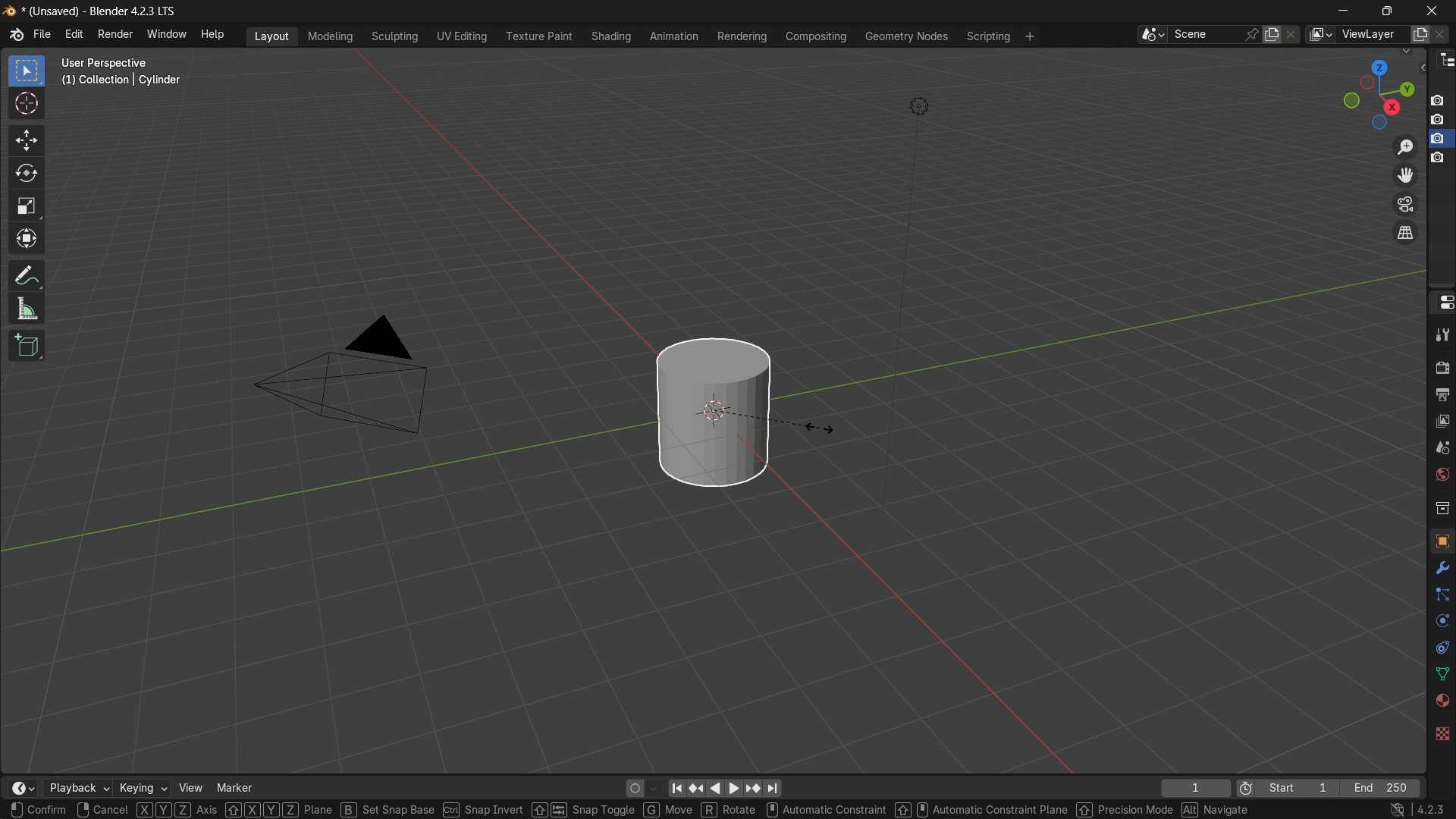  I want to click on properties, so click(1442, 302).